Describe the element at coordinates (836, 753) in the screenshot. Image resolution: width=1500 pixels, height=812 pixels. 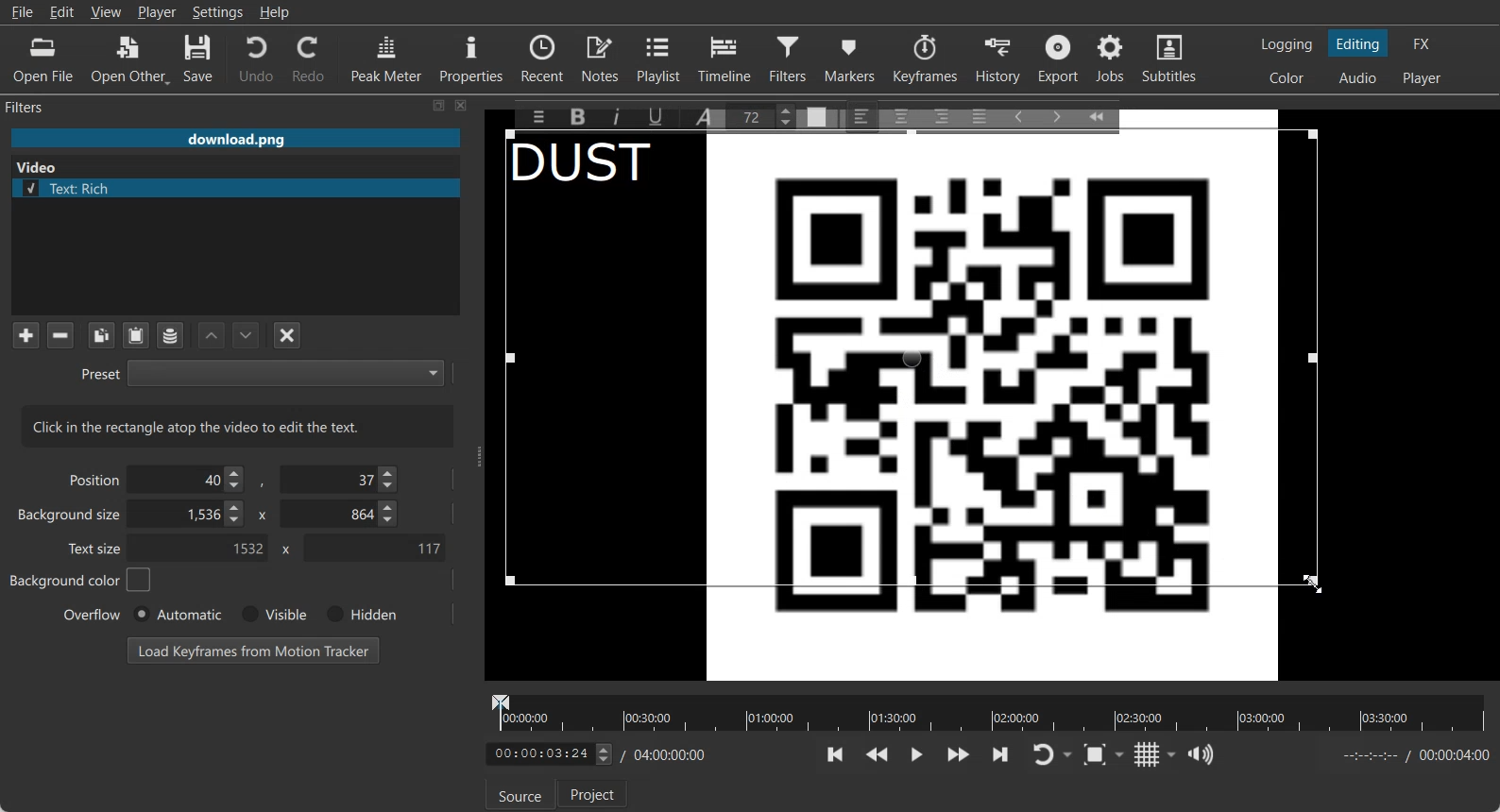
I see `Skip to the previous point` at that location.